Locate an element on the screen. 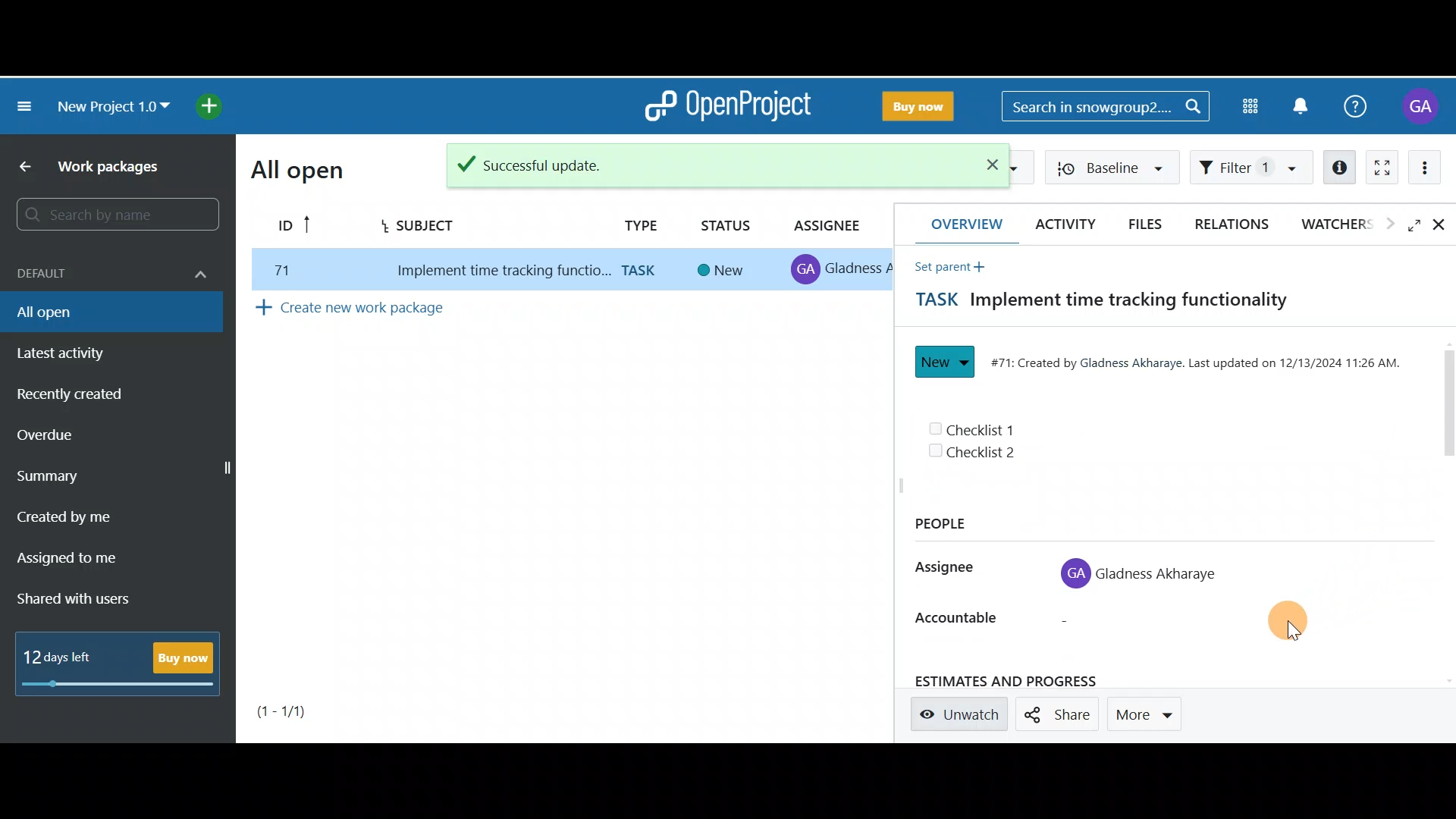 The image size is (1456, 819). OpenProject is located at coordinates (726, 106).